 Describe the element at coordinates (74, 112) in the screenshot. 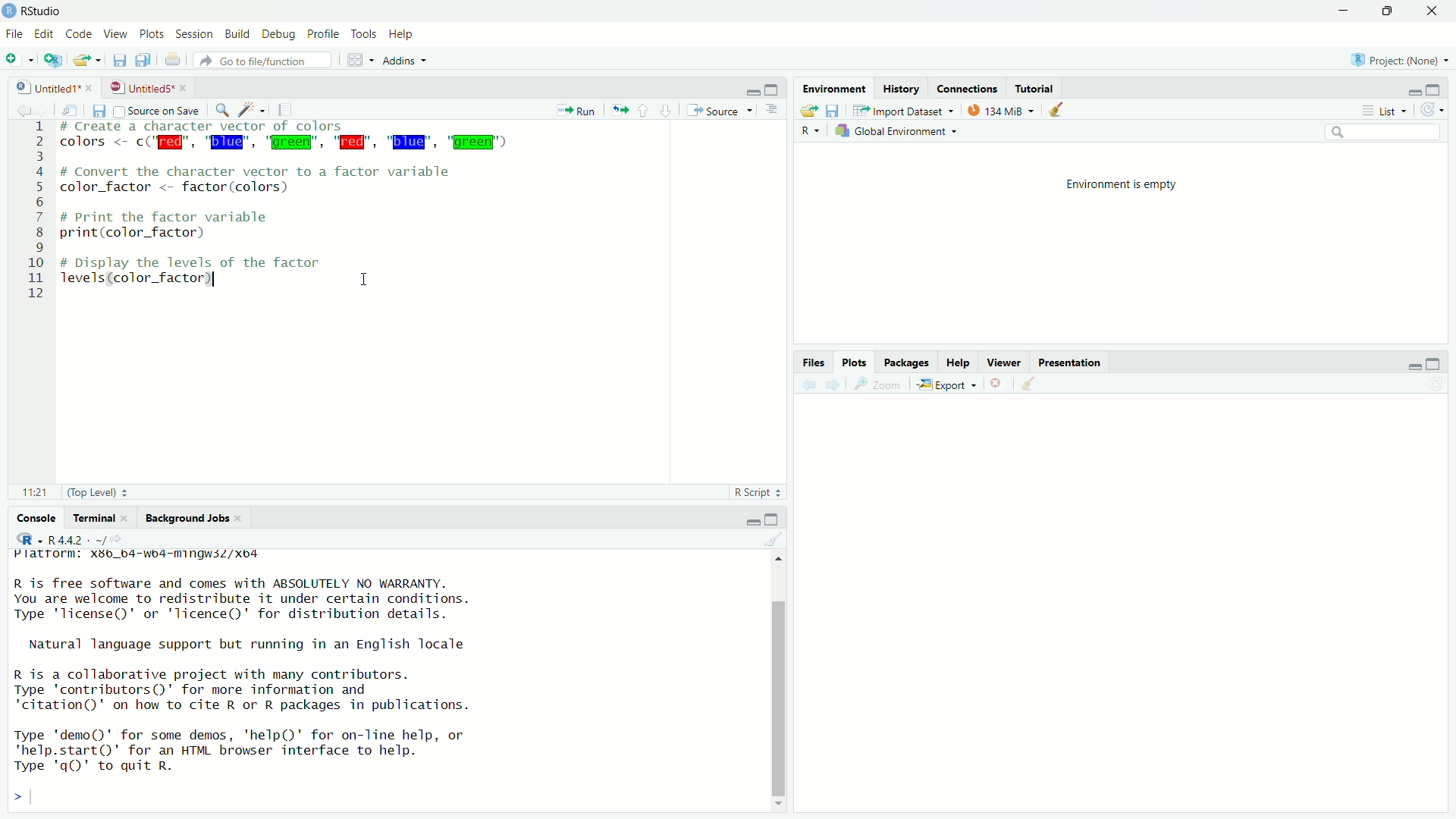

I see `show in new window` at that location.